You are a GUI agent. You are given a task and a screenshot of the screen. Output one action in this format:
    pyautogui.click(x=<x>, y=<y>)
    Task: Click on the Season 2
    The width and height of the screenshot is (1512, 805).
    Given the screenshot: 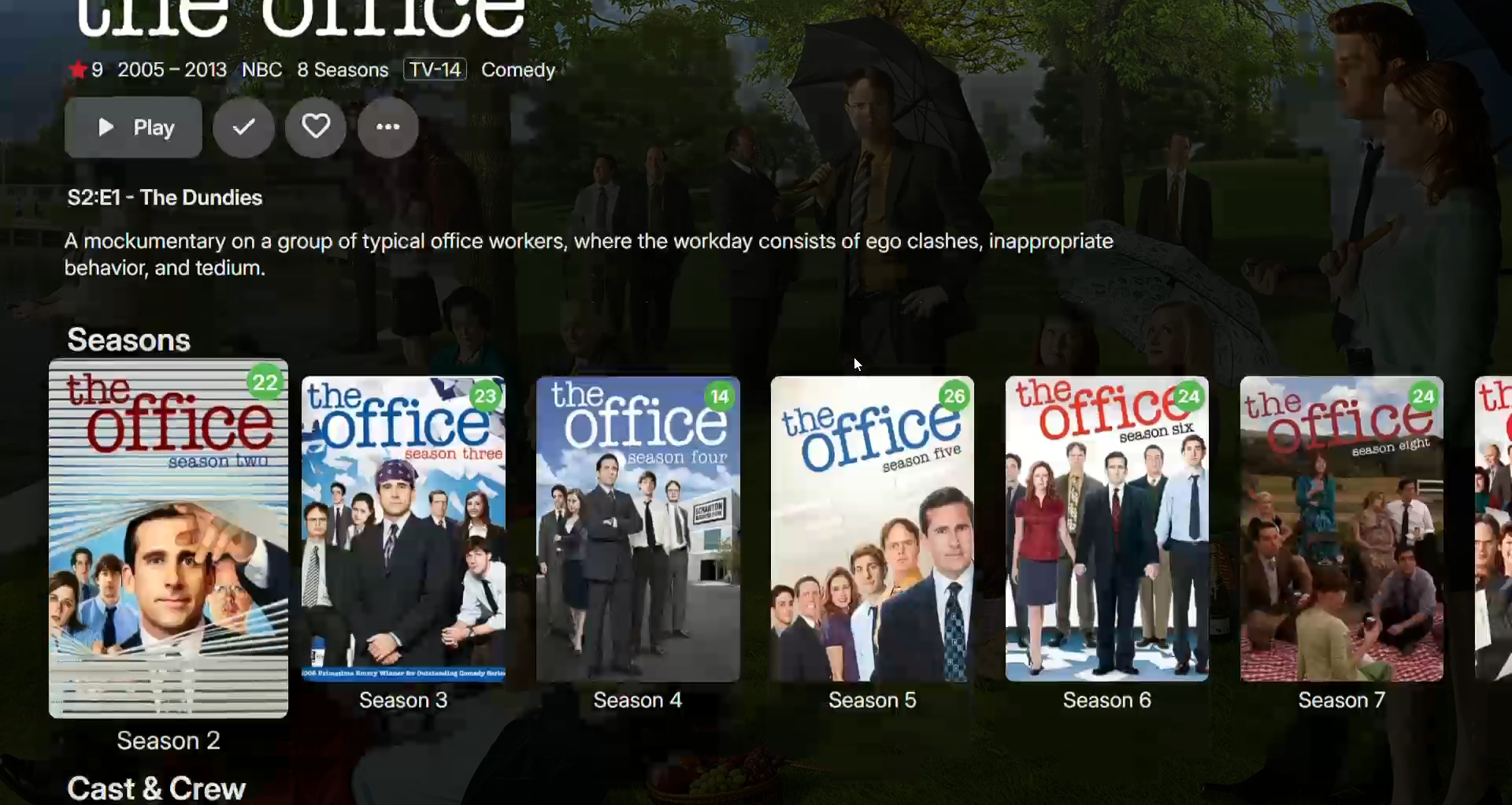 What is the action you would take?
    pyautogui.click(x=167, y=558)
    